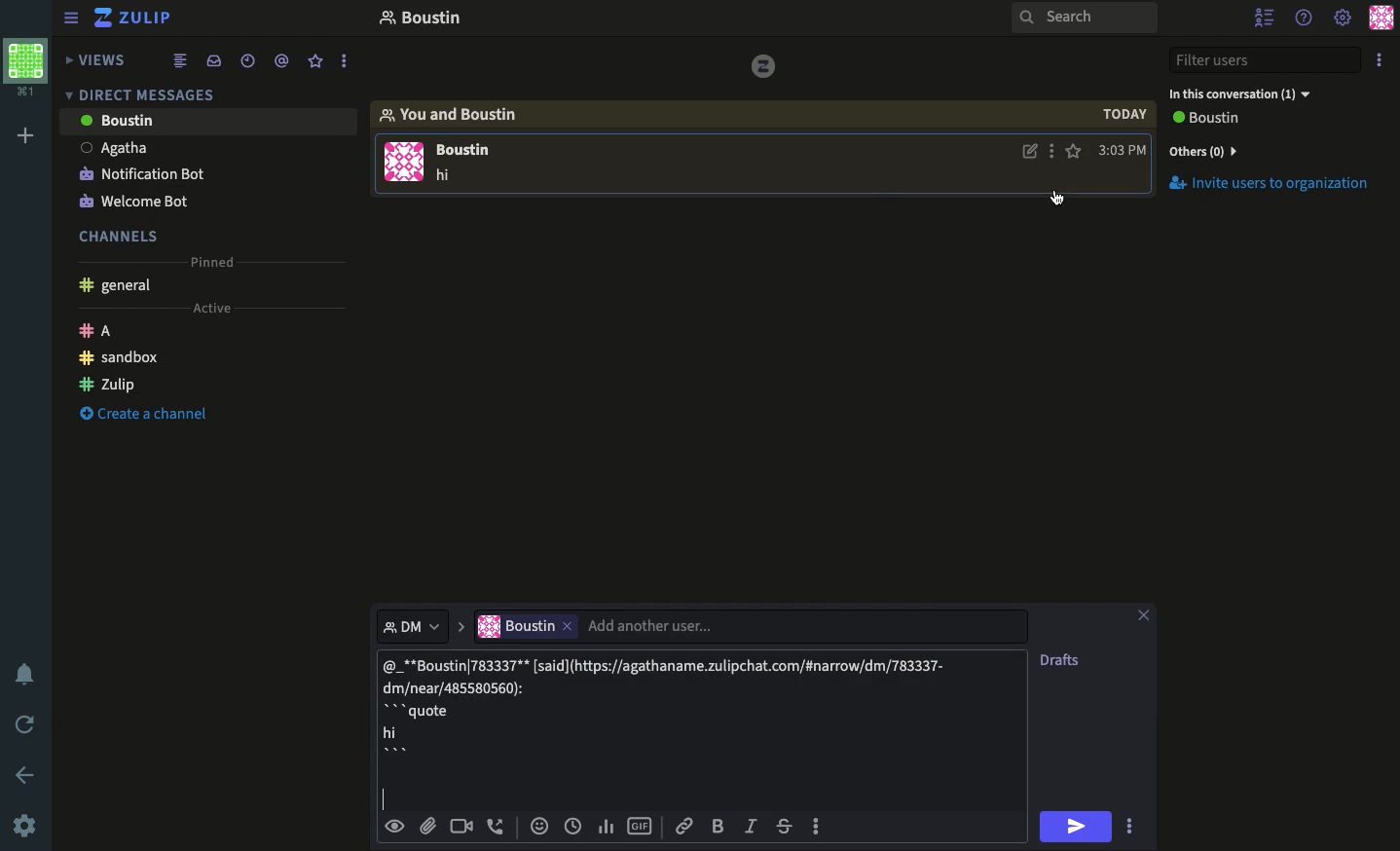 The height and width of the screenshot is (851, 1400). I want to click on Send, so click(1079, 826).